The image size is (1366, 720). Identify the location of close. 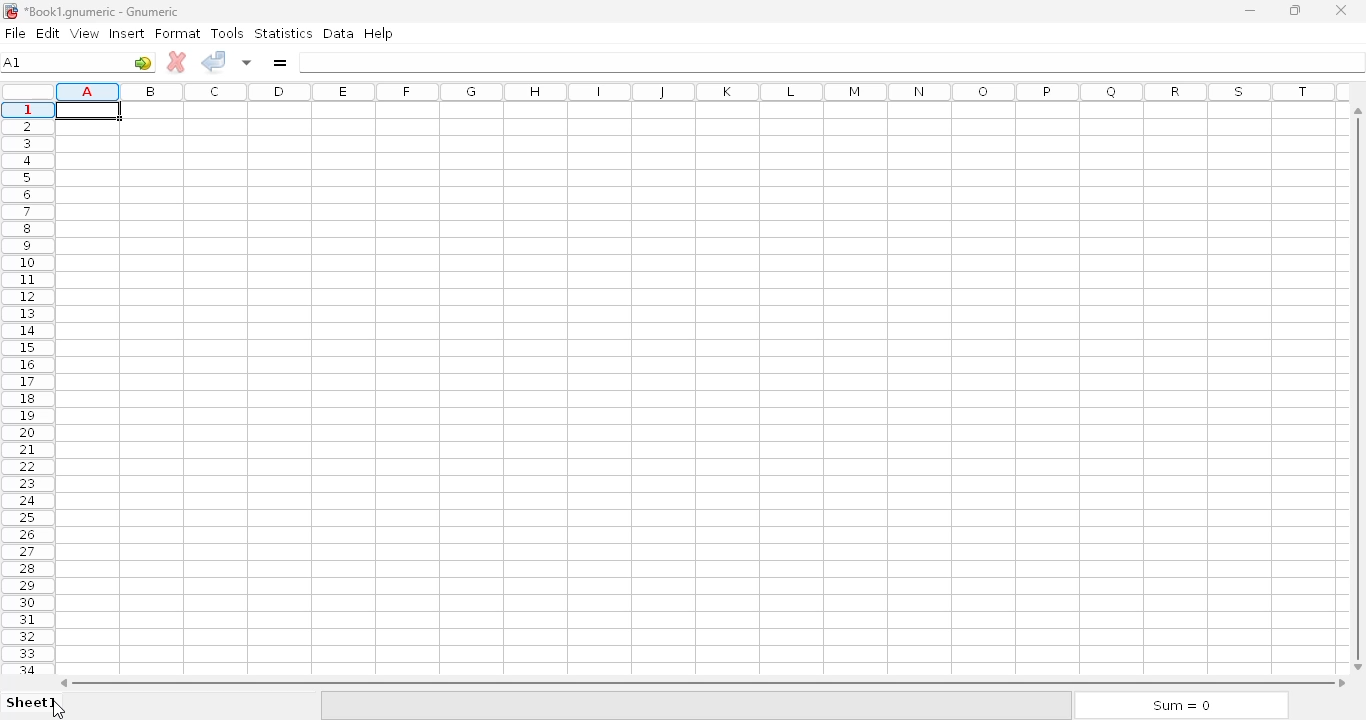
(1342, 11).